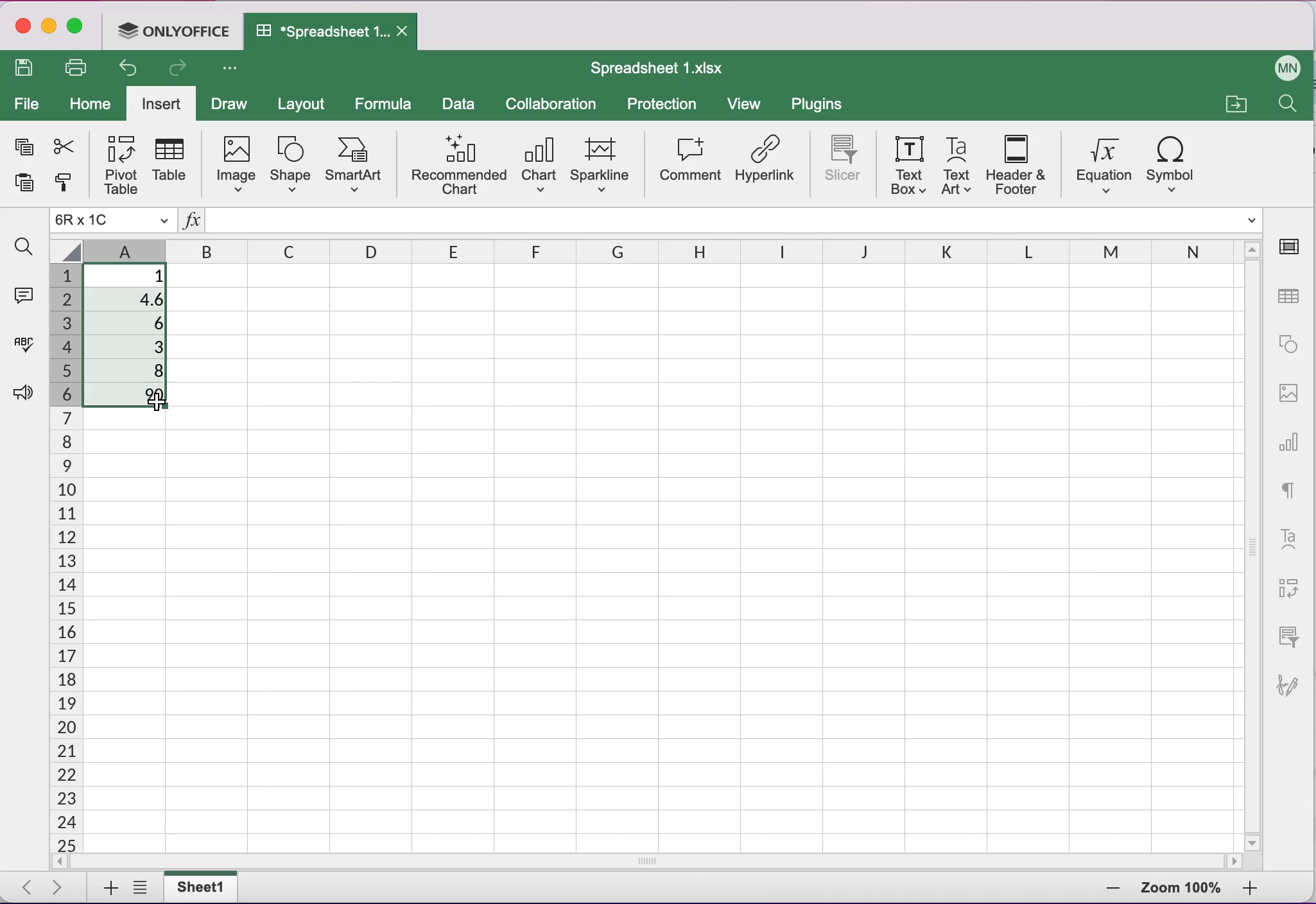  What do you see at coordinates (1100, 166) in the screenshot?
I see `equation` at bounding box center [1100, 166].